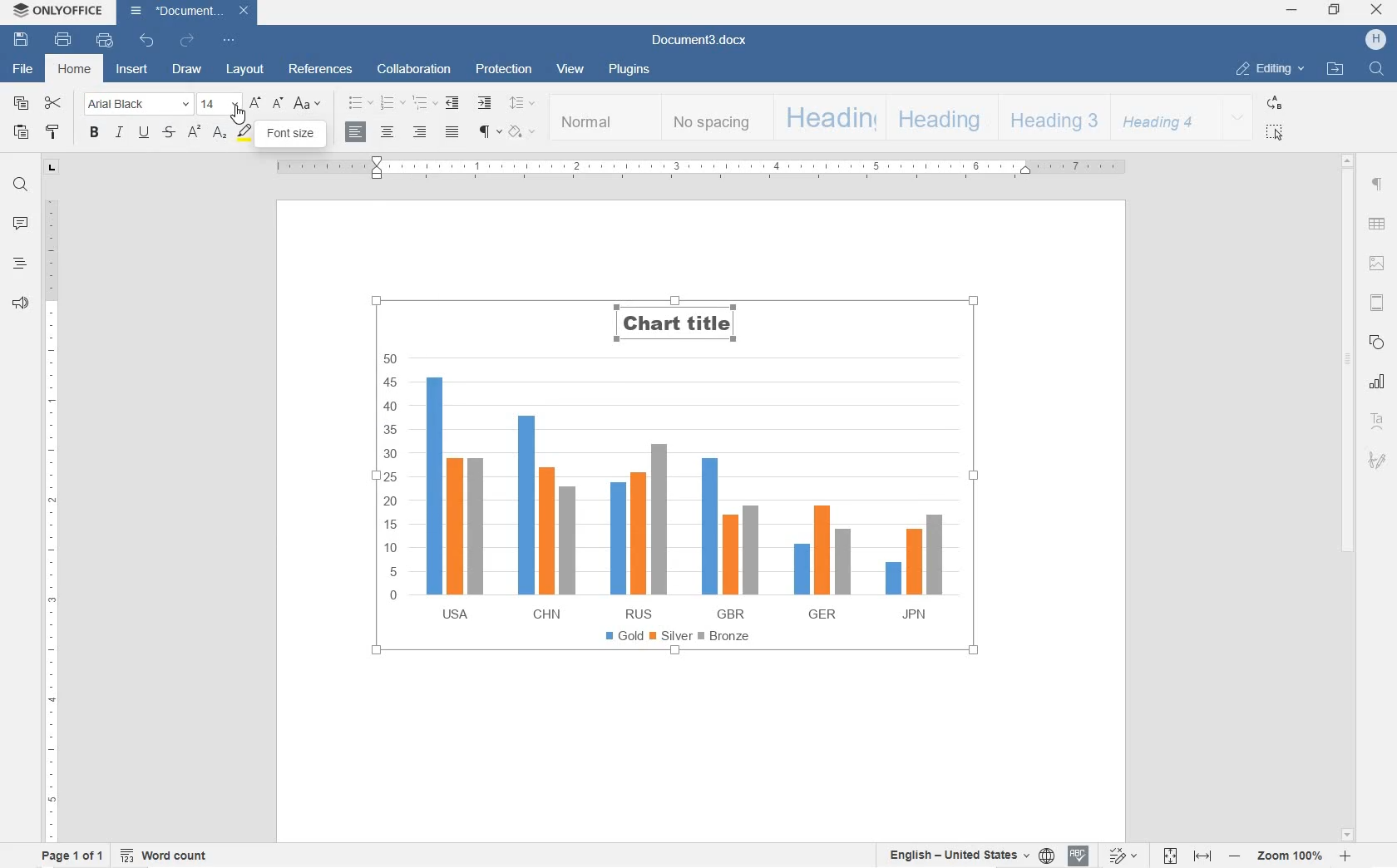 The height and width of the screenshot is (868, 1397). Describe the element at coordinates (501, 69) in the screenshot. I see `PROTECTION` at that location.